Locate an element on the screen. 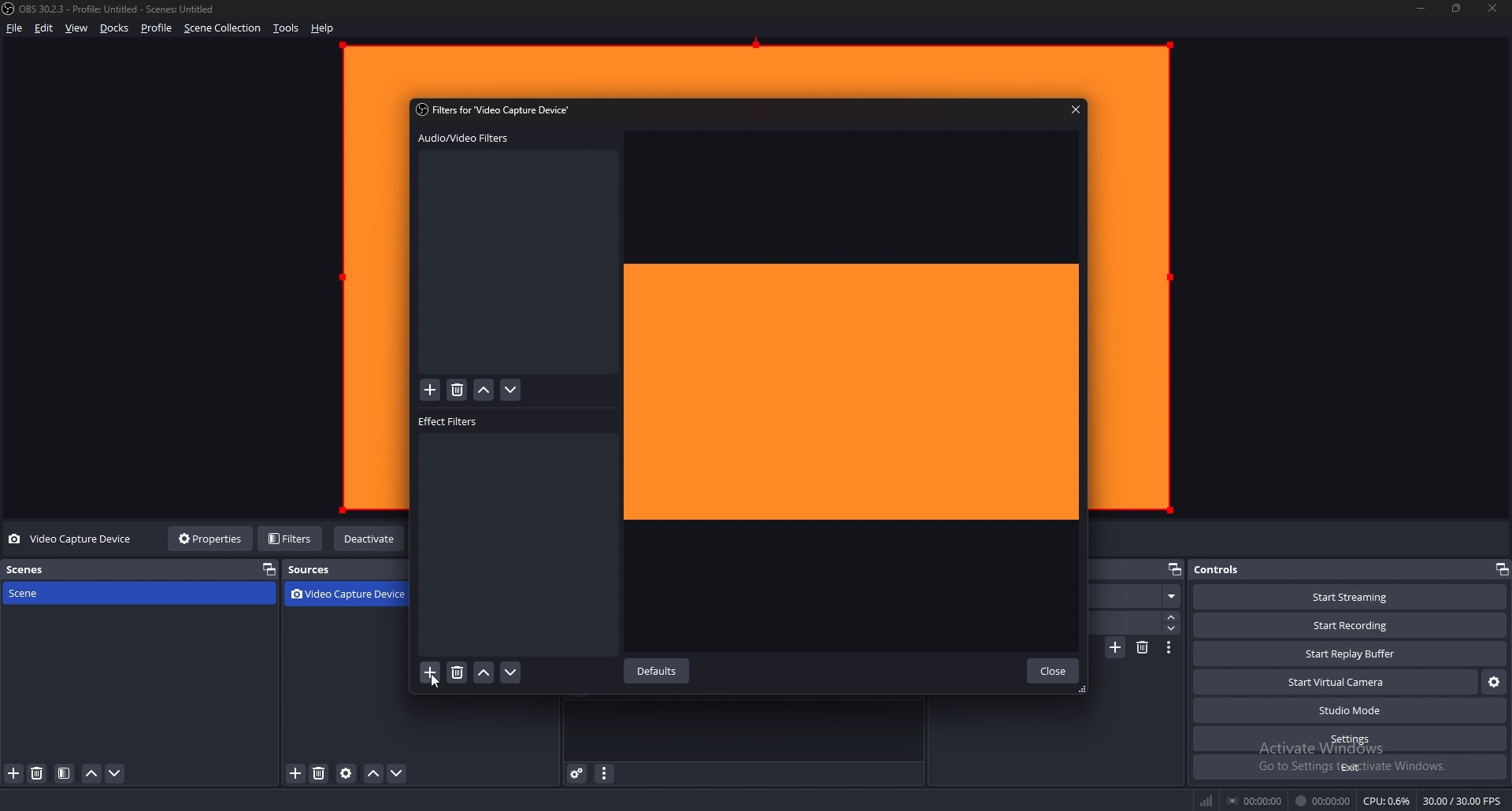 This screenshot has width=1512, height=811. effect filters is located at coordinates (450, 422).